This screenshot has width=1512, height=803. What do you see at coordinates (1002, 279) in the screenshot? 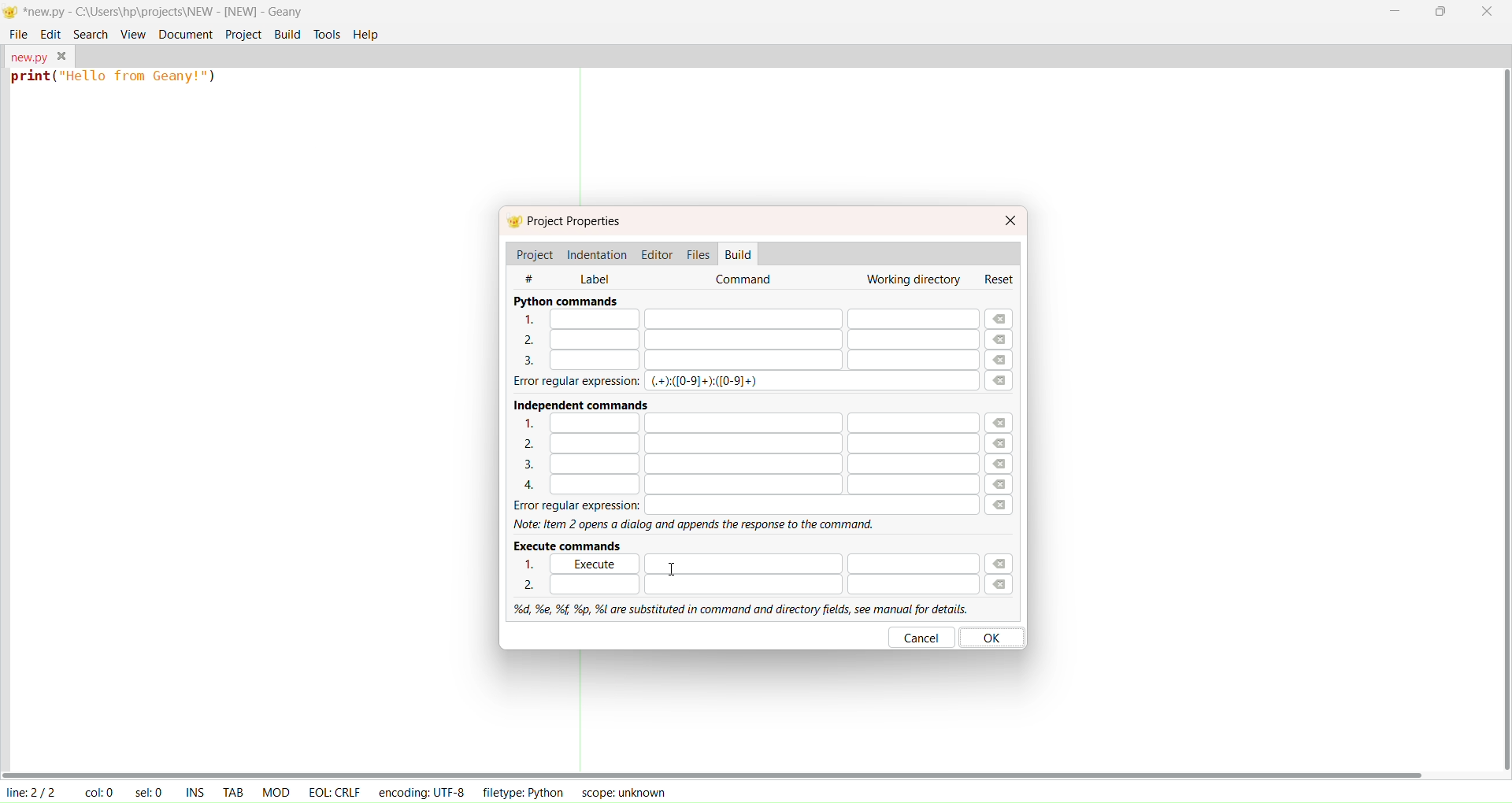
I see `reset` at bounding box center [1002, 279].